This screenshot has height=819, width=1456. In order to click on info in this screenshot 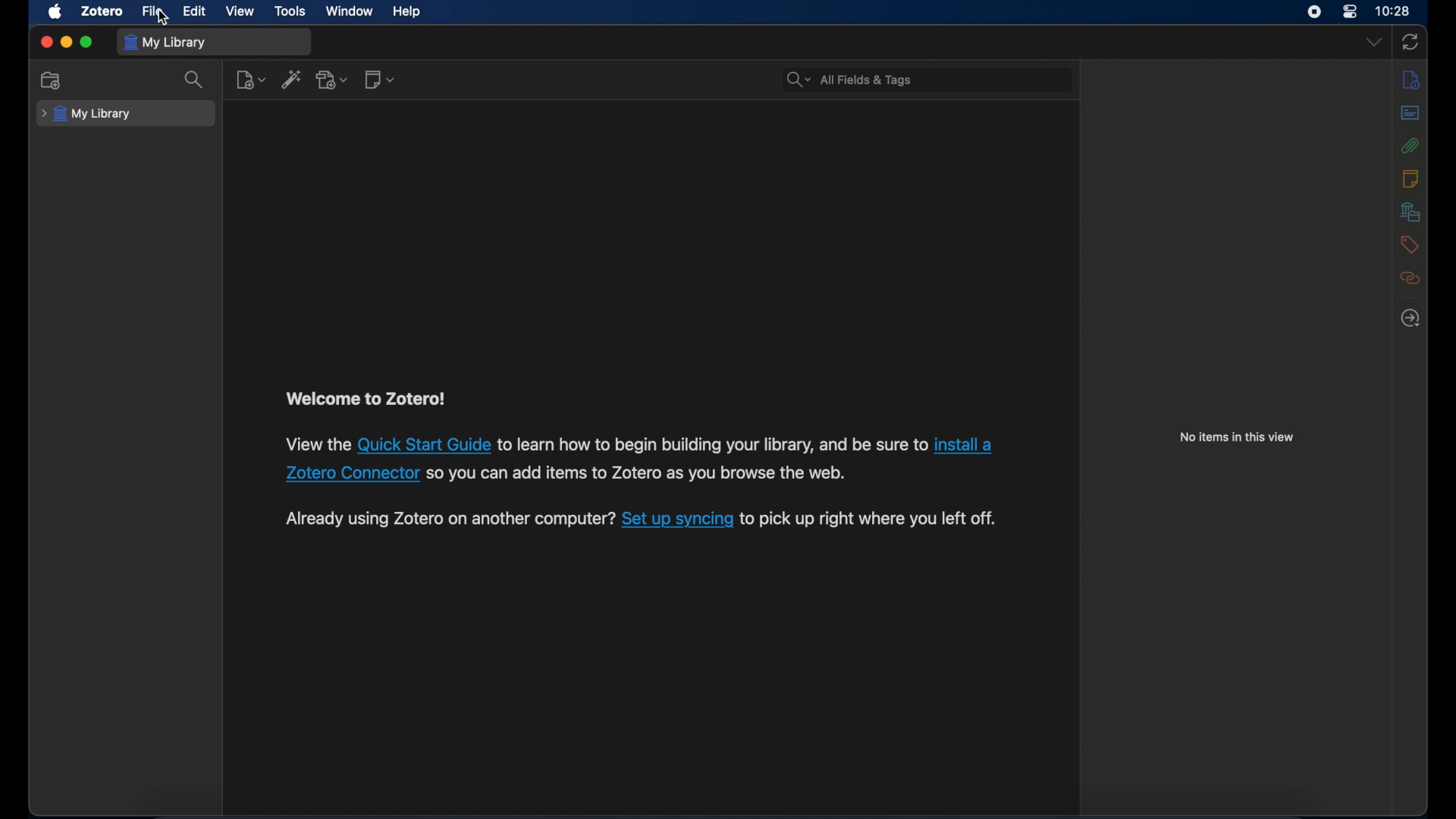, I will do `click(1411, 80)`.